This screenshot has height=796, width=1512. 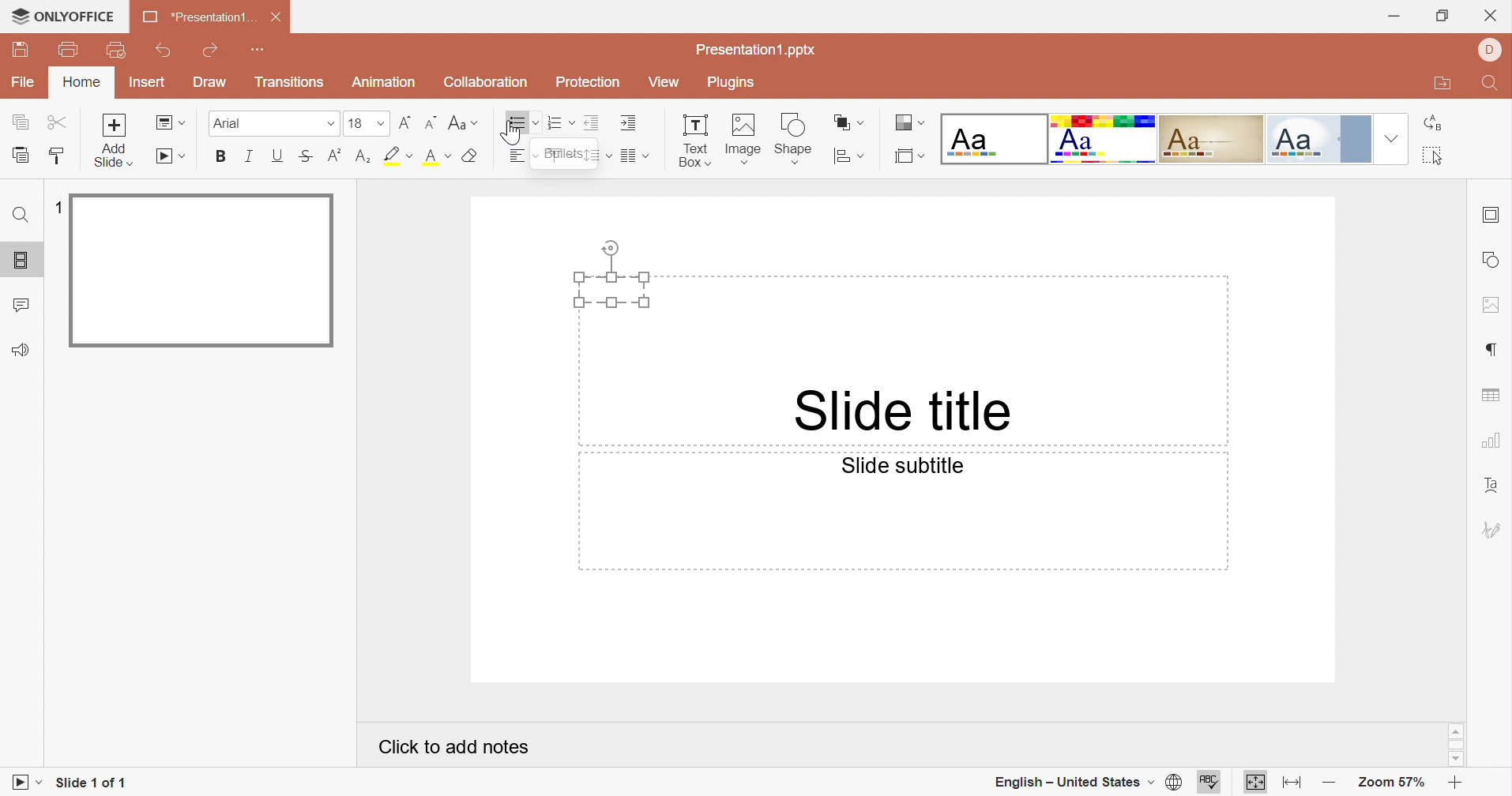 I want to click on Font, so click(x=231, y=124).